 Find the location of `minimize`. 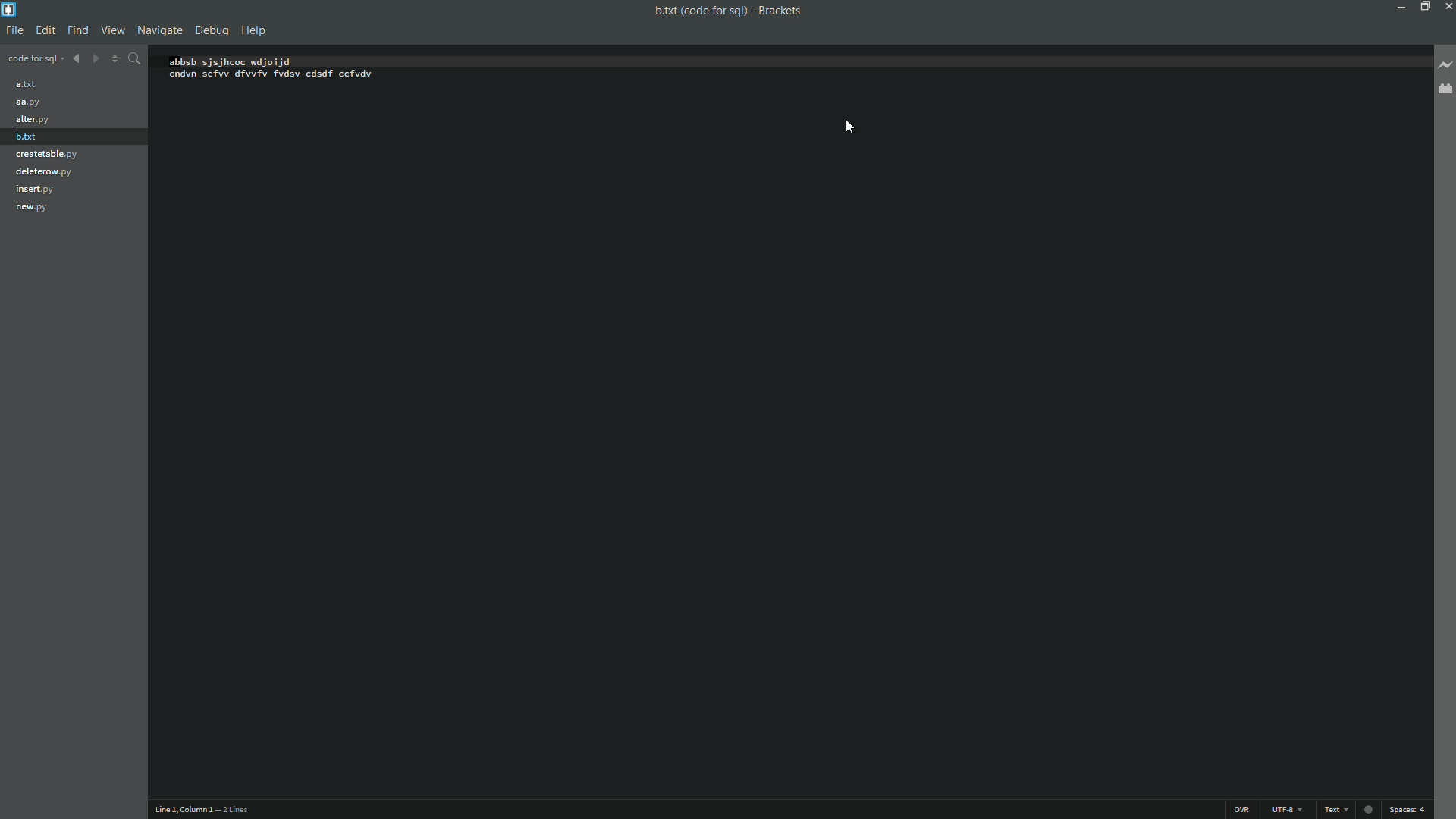

minimize is located at coordinates (1400, 6).